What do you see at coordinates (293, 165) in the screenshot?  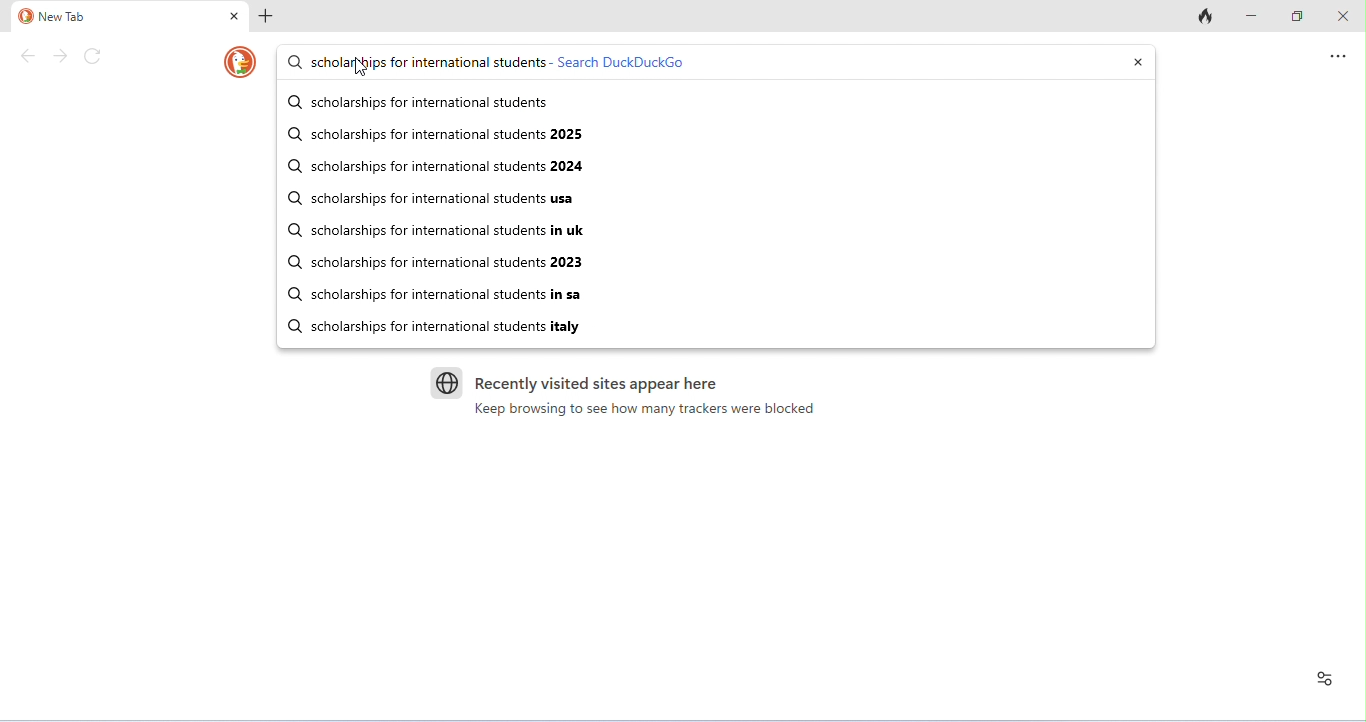 I see `search icon` at bounding box center [293, 165].